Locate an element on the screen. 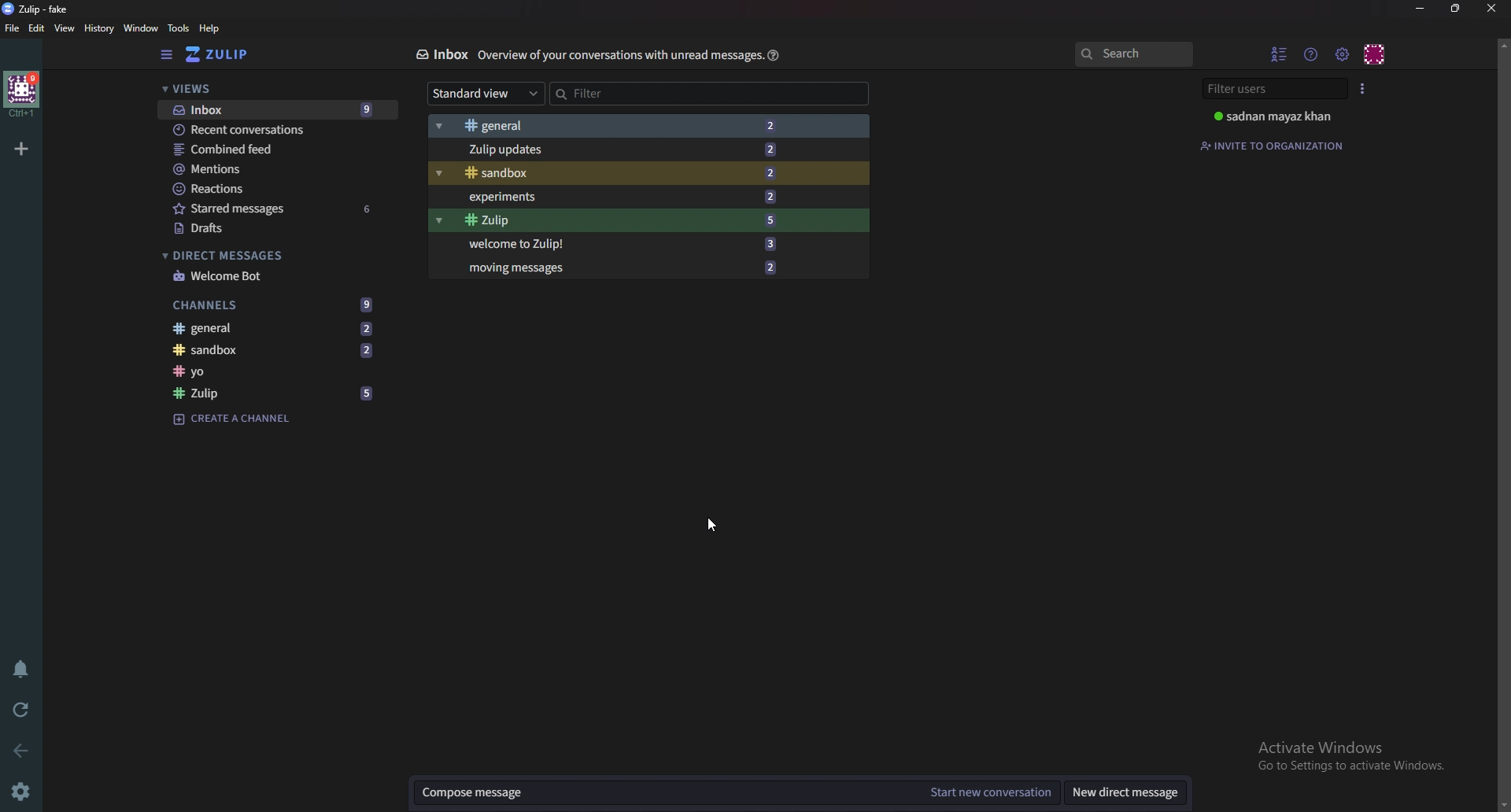  Start new conversation is located at coordinates (992, 792).